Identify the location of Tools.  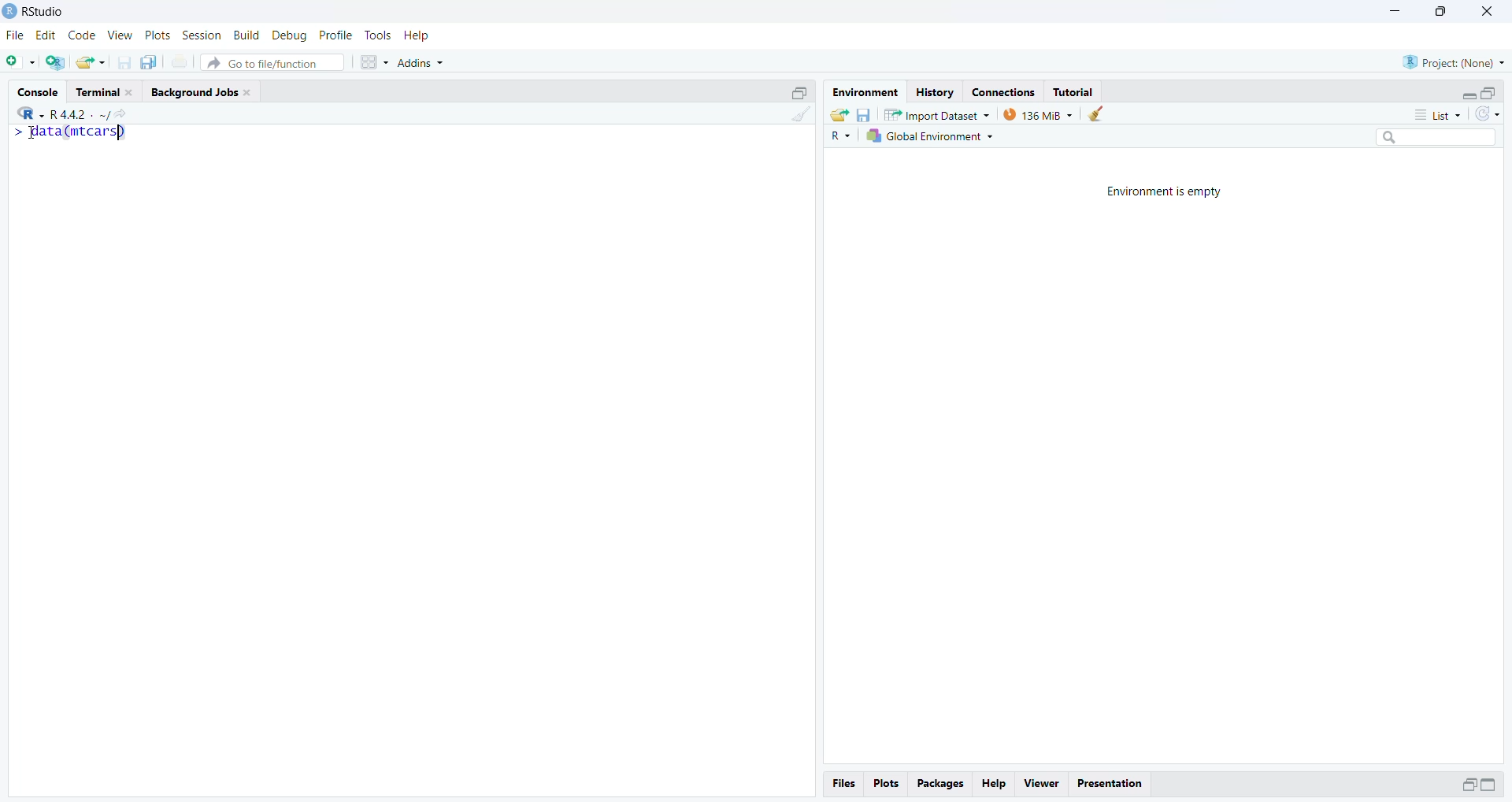
(378, 35).